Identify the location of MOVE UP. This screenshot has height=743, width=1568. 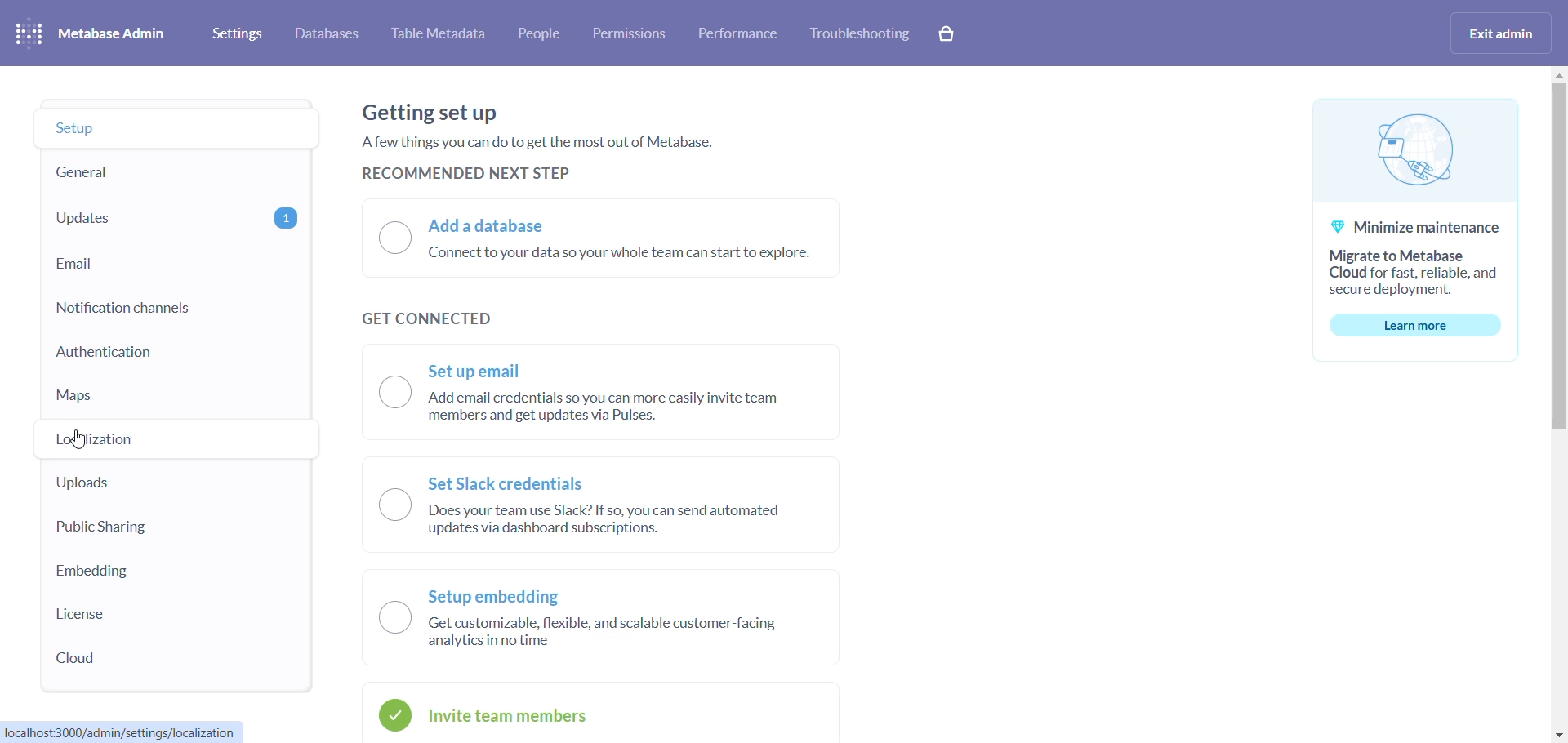
(1558, 78).